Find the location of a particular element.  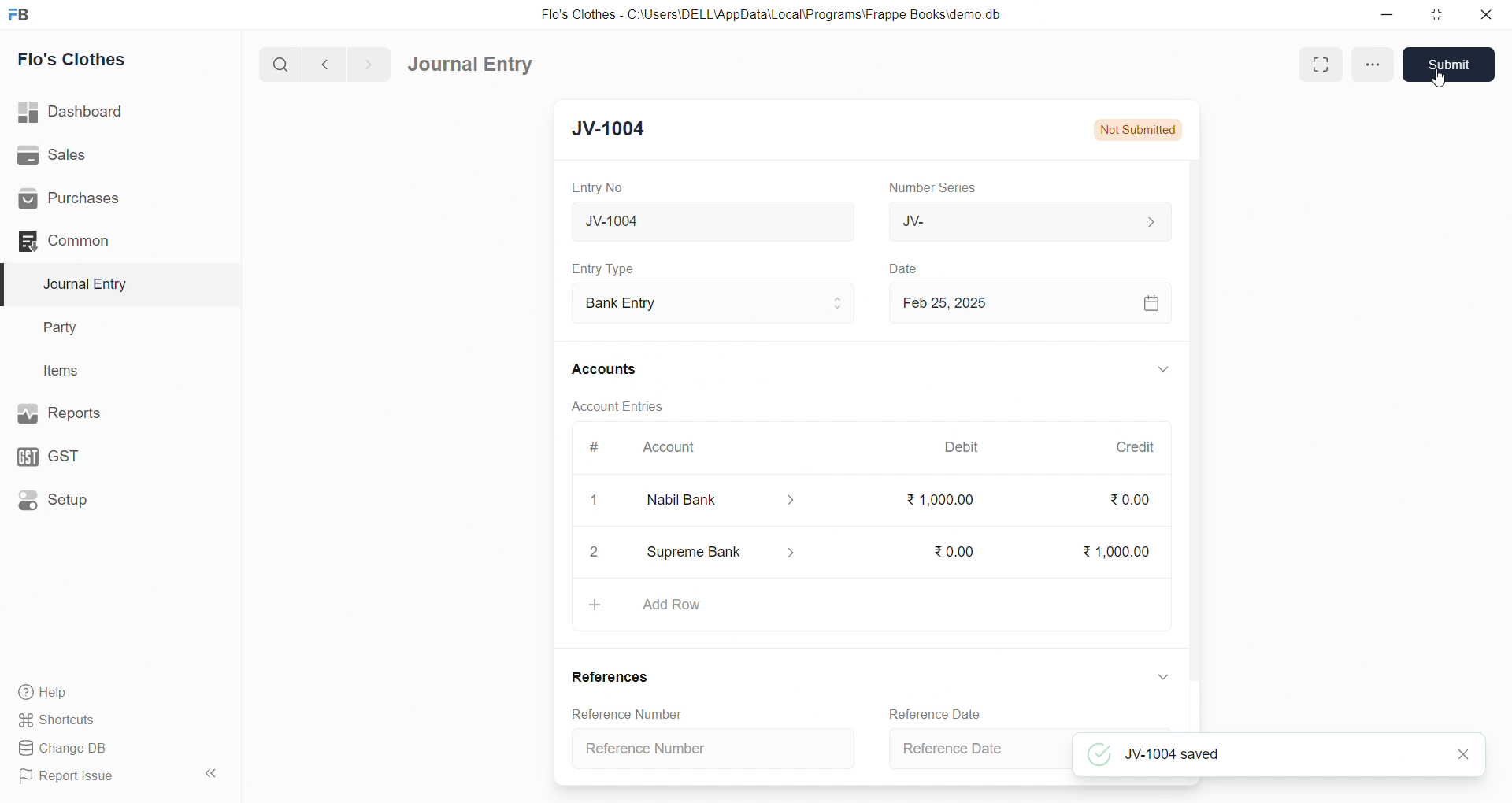

Number Series is located at coordinates (936, 187).